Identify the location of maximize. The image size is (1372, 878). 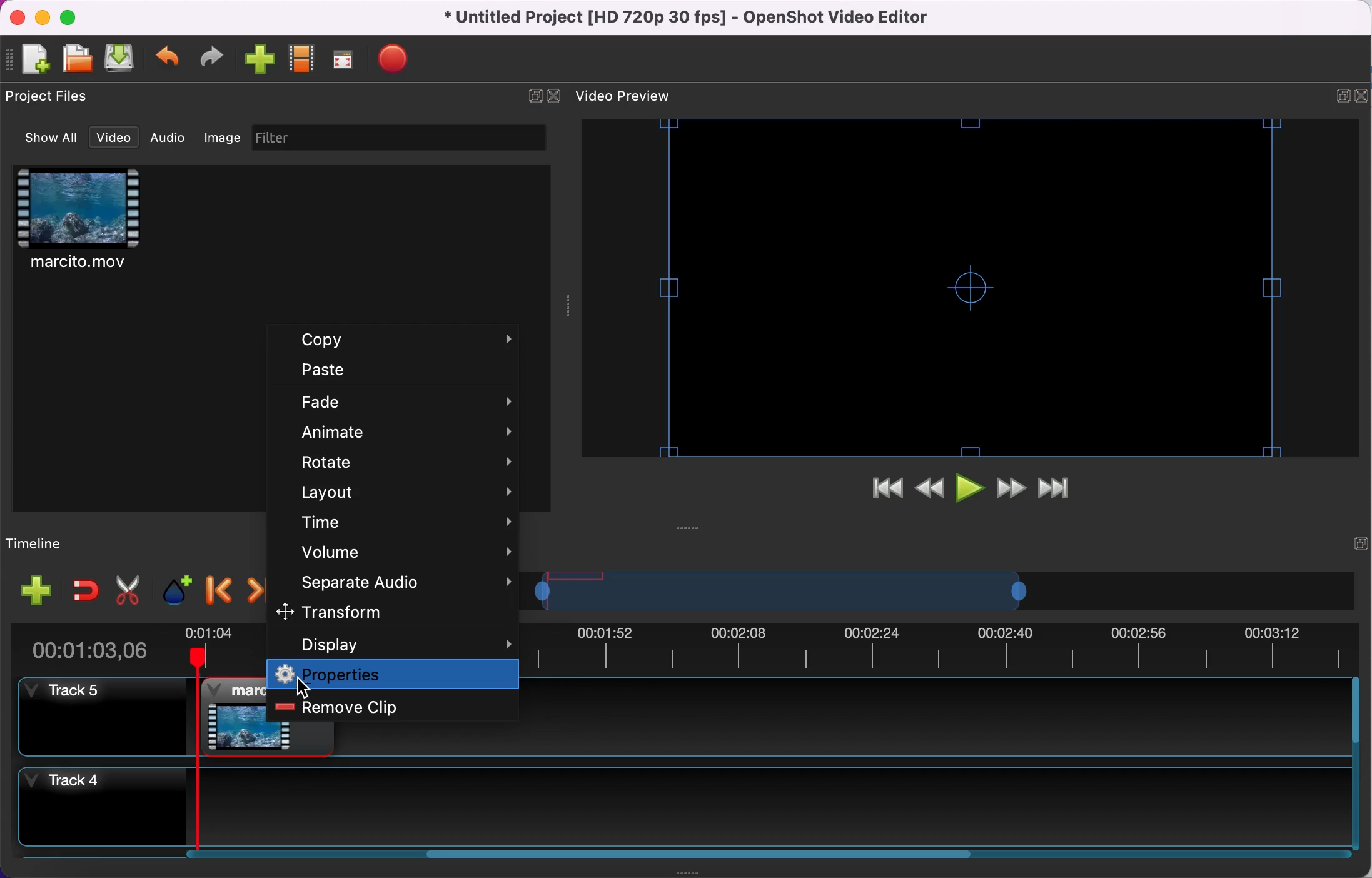
(72, 17).